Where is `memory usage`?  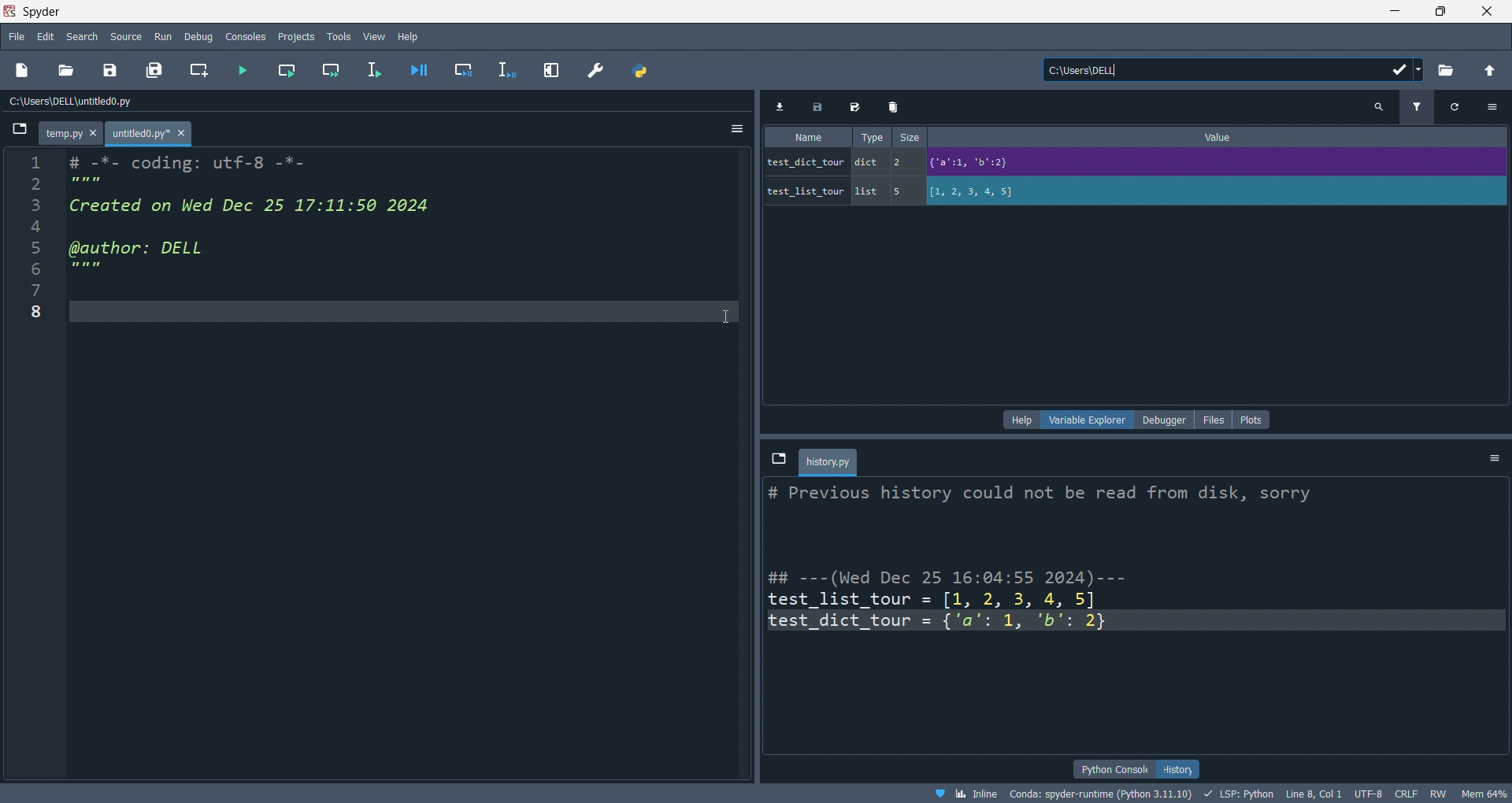 memory usage is located at coordinates (1484, 794).